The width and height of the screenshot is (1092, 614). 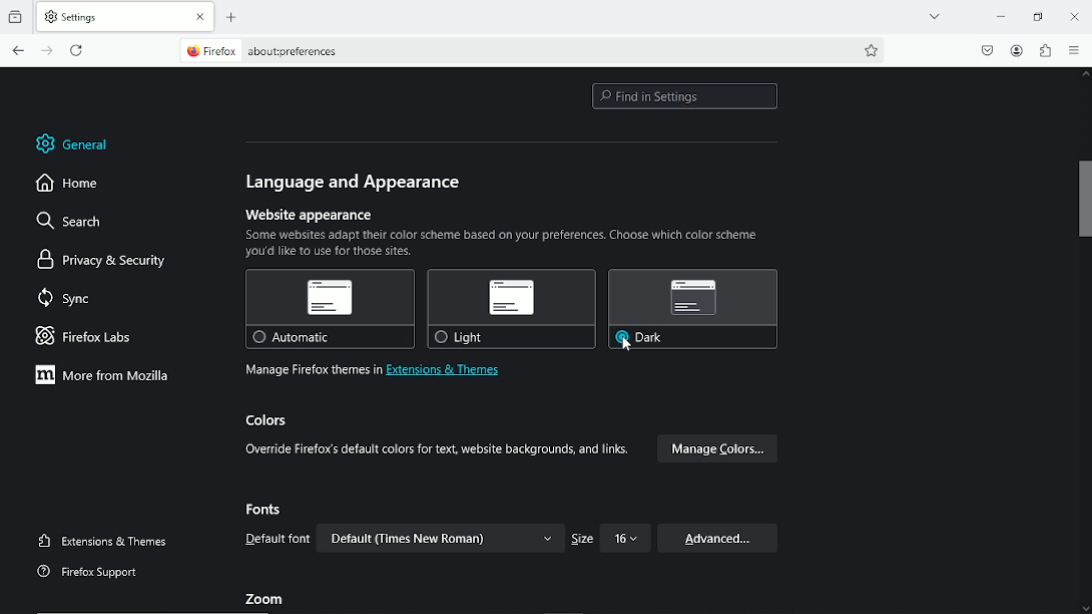 What do you see at coordinates (19, 48) in the screenshot?
I see `go back` at bounding box center [19, 48].